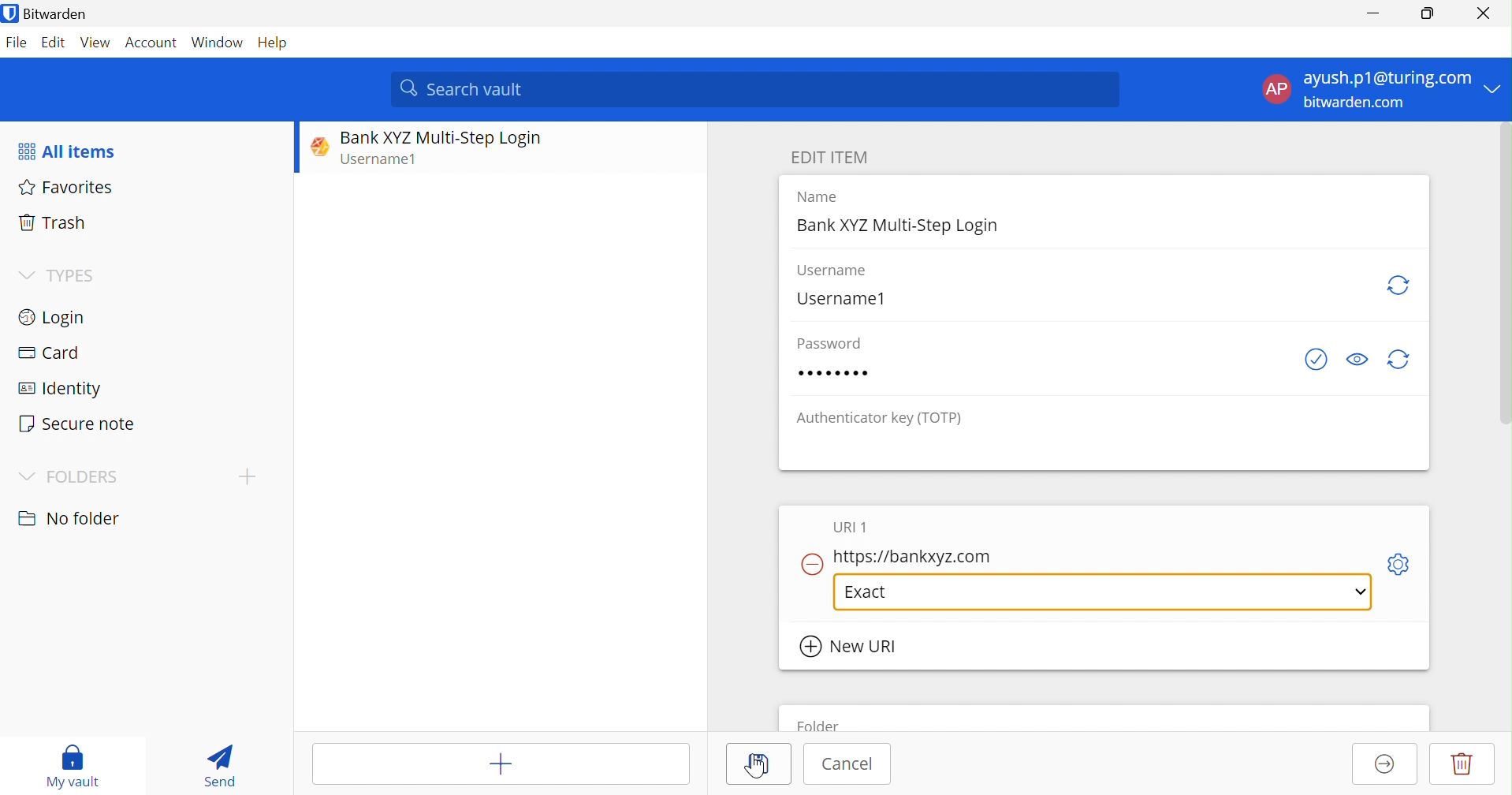 This screenshot has height=795, width=1512. Describe the element at coordinates (69, 188) in the screenshot. I see `Favorites` at that location.